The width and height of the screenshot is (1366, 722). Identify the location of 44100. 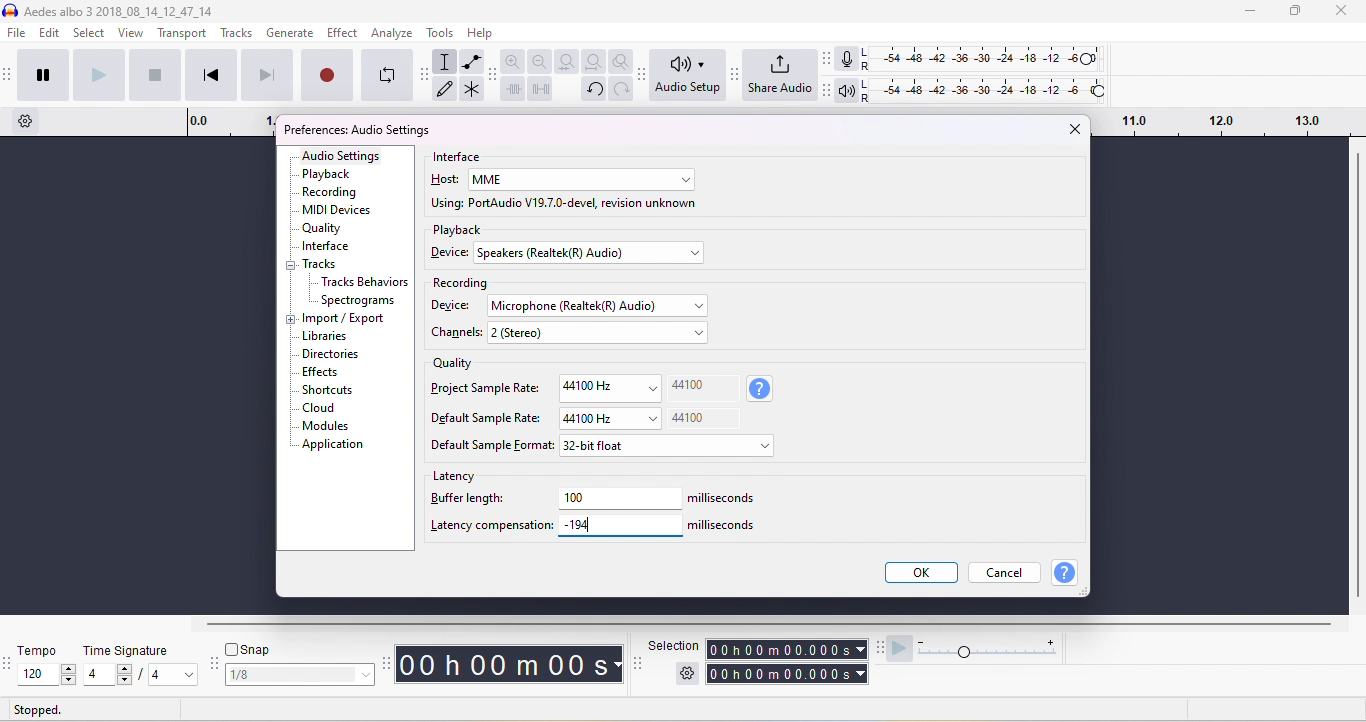
(689, 418).